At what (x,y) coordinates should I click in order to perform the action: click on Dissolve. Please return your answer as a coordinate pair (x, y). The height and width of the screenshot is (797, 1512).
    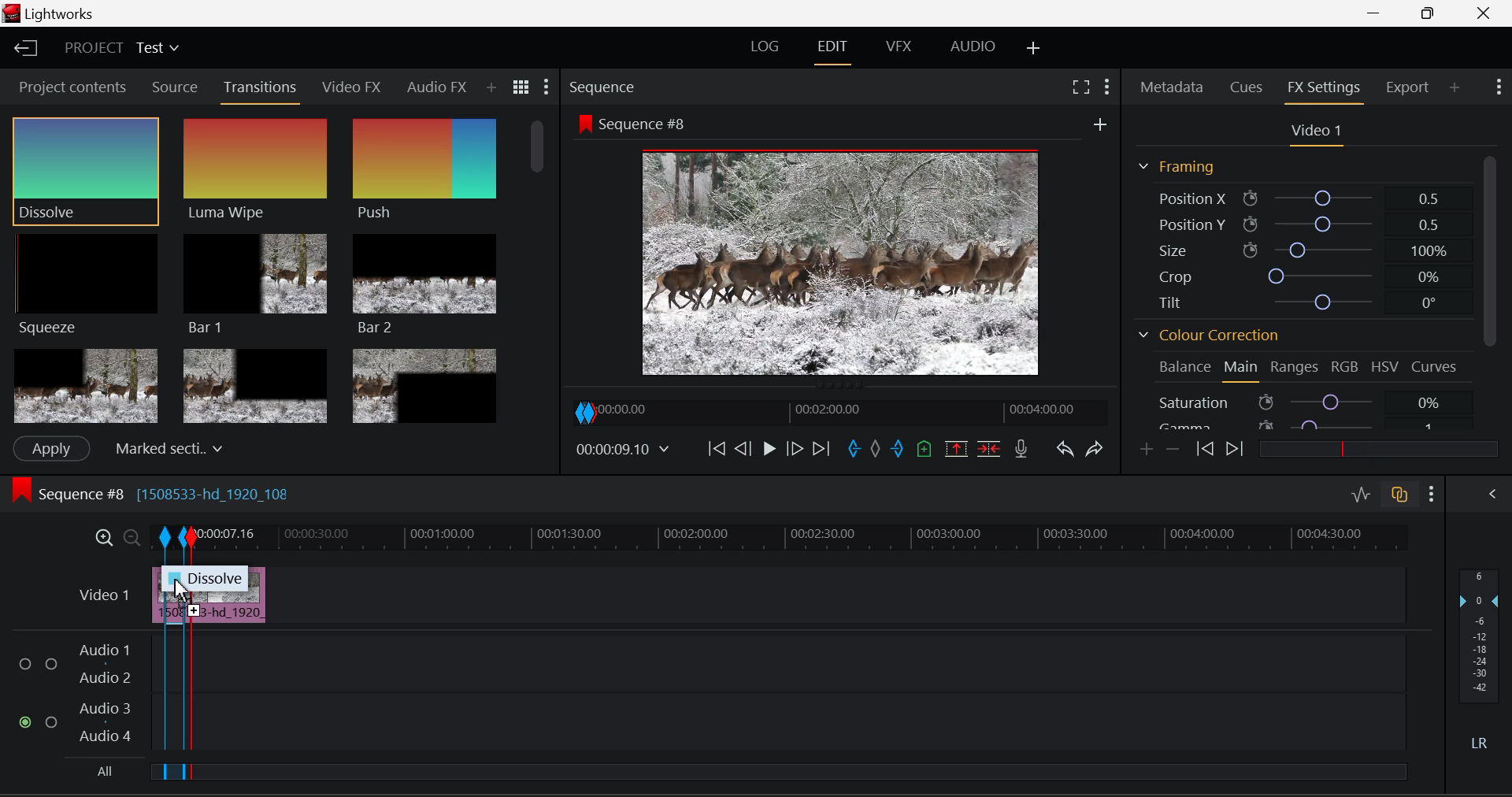
    Looking at the image, I should click on (222, 577).